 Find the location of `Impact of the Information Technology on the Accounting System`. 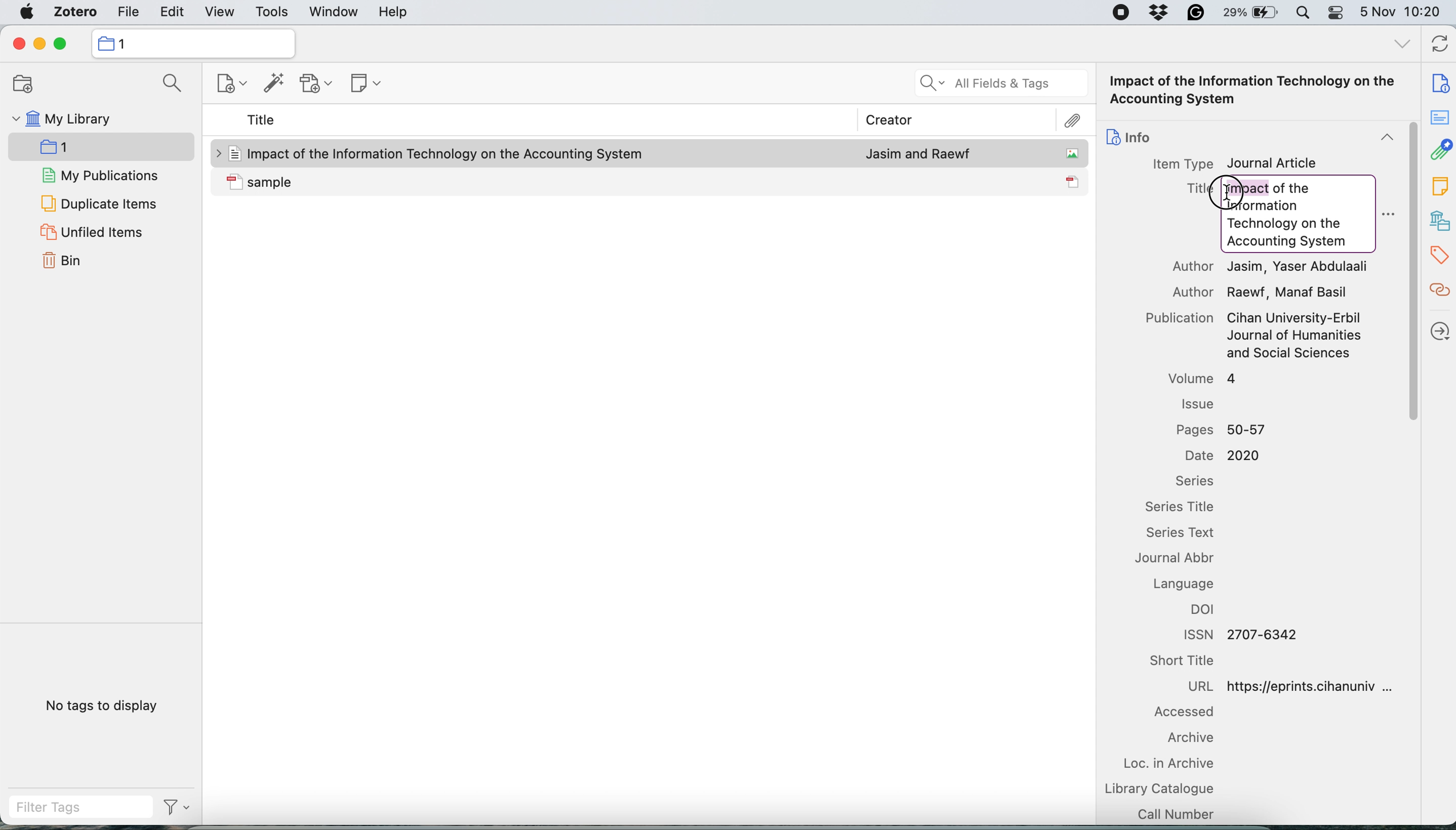

Impact of the Information Technology on the Accounting System is located at coordinates (448, 154).